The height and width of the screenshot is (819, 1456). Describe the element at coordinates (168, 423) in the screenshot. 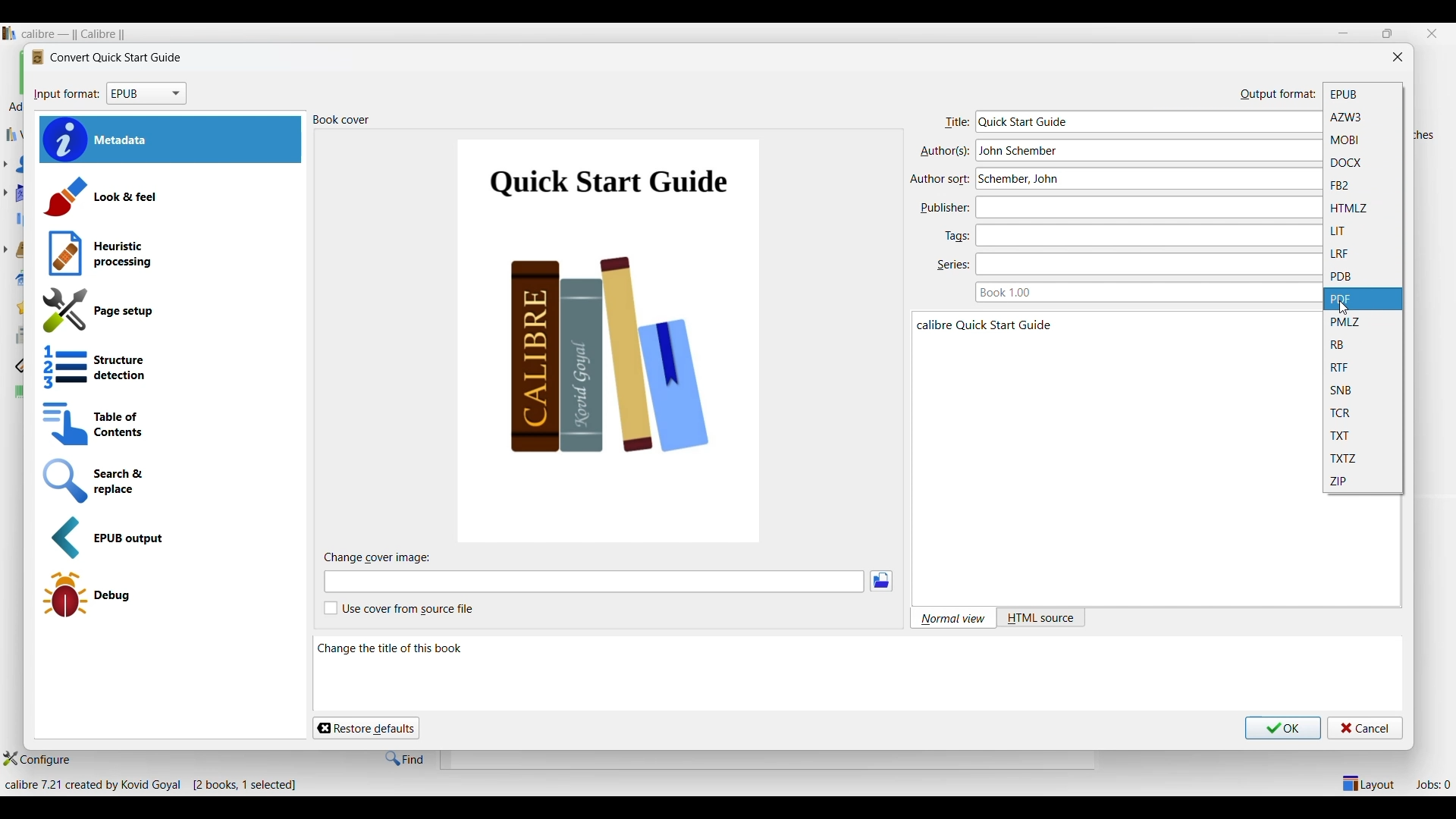

I see `Table of contents` at that location.